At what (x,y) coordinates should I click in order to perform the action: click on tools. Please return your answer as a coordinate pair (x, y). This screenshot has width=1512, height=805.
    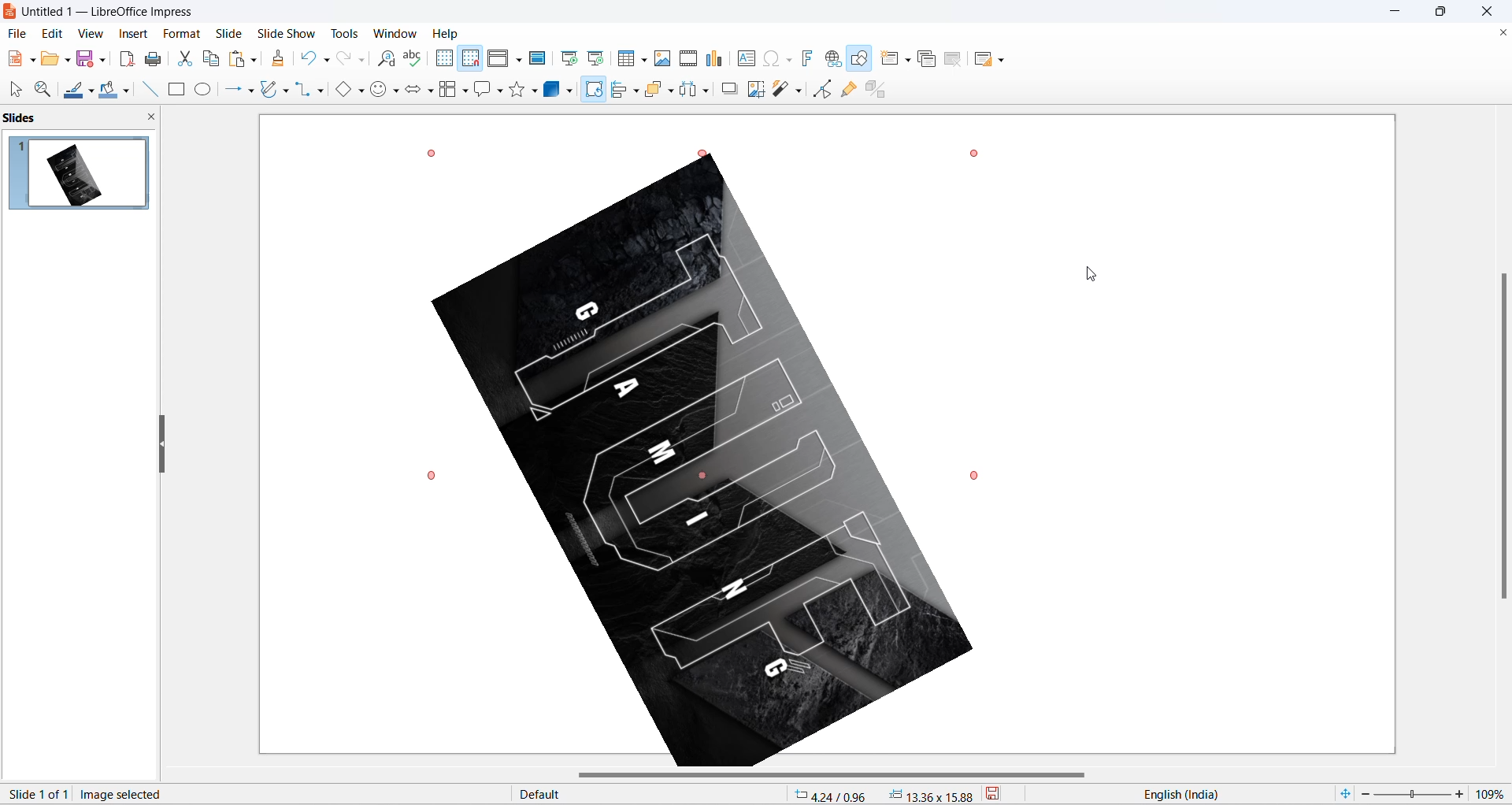
    Looking at the image, I should click on (350, 33).